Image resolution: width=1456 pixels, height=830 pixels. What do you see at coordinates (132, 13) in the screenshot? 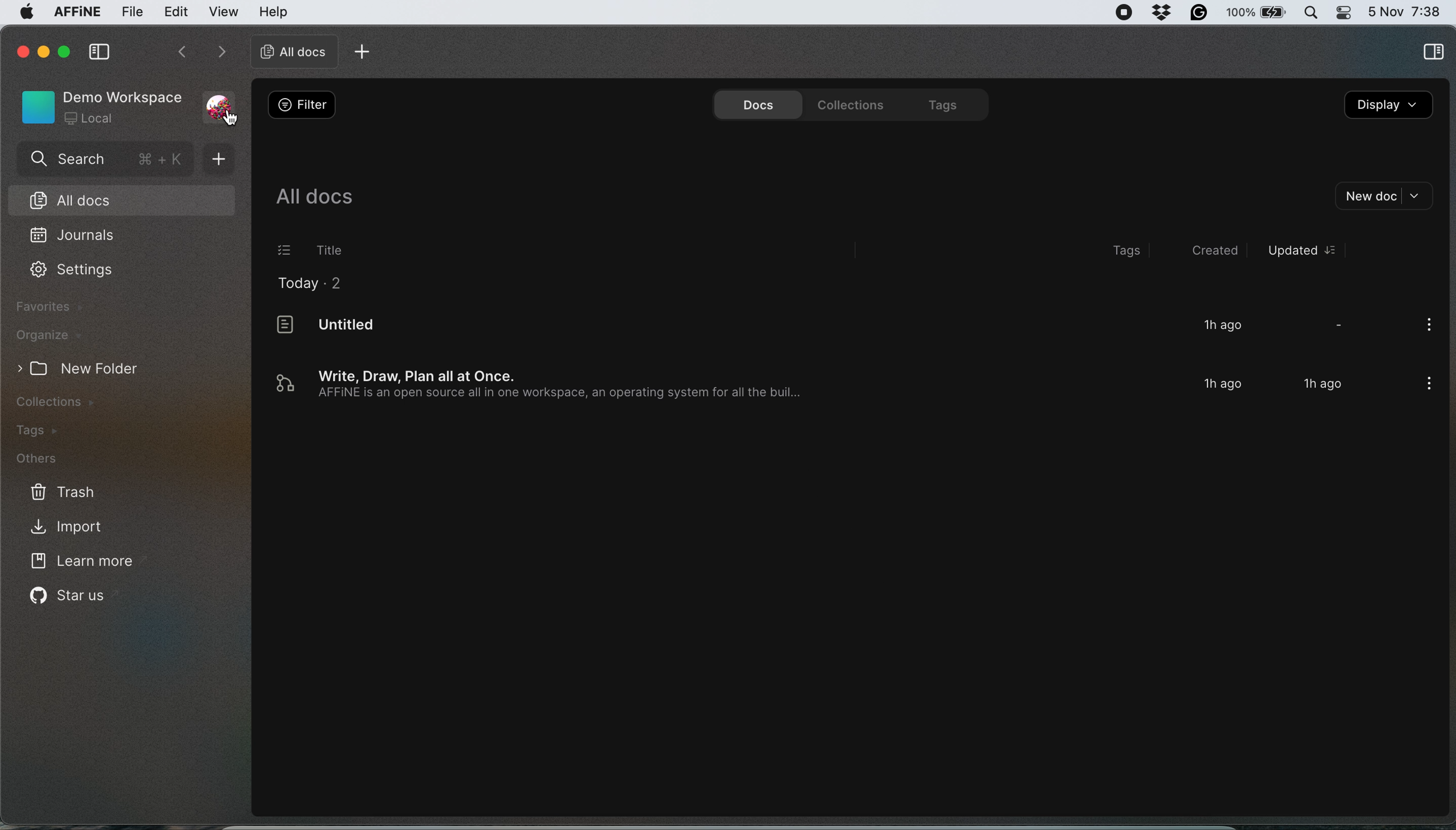
I see `file` at bounding box center [132, 13].